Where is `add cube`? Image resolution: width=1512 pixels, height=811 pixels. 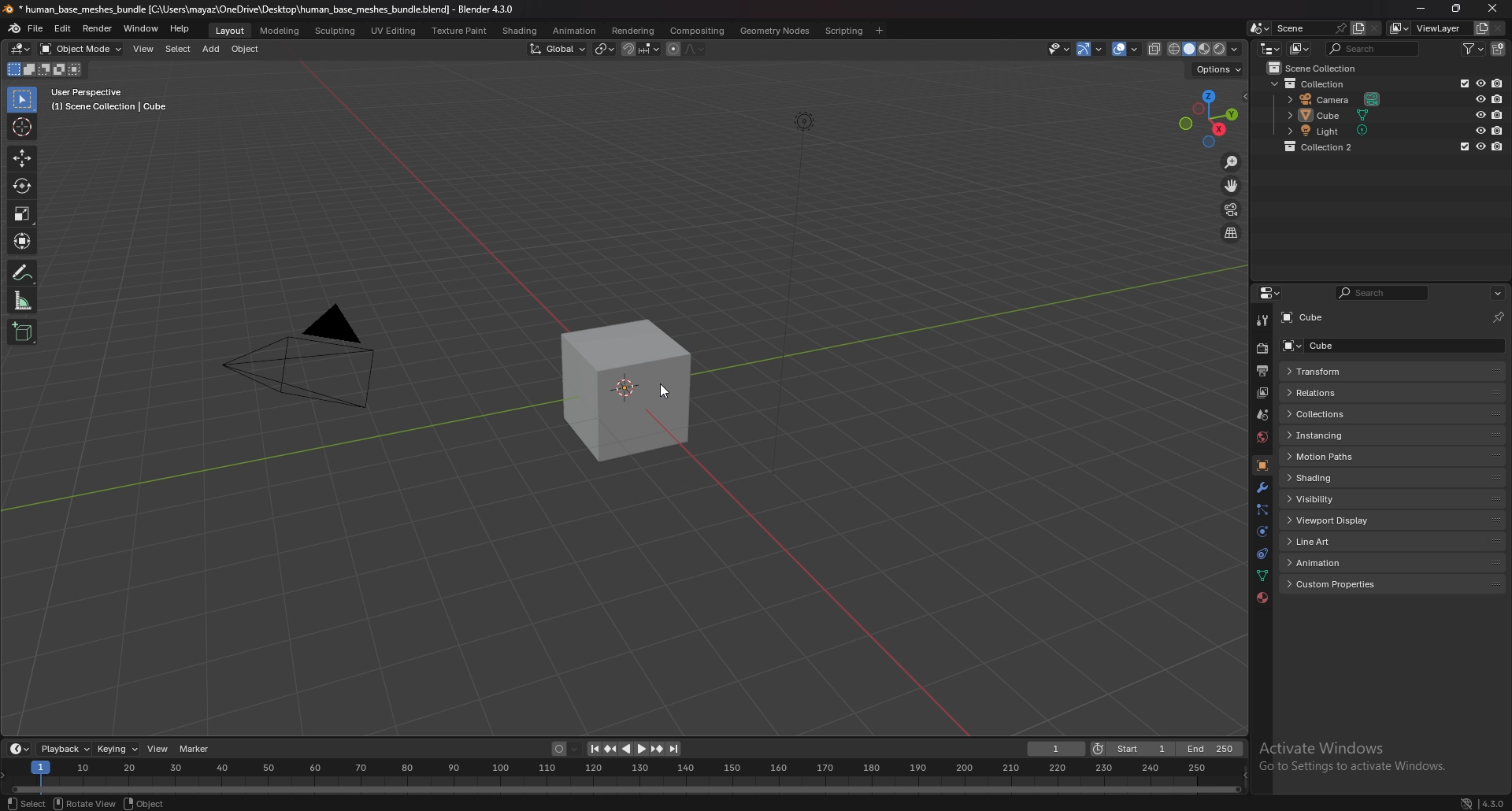 add cube is located at coordinates (23, 331).